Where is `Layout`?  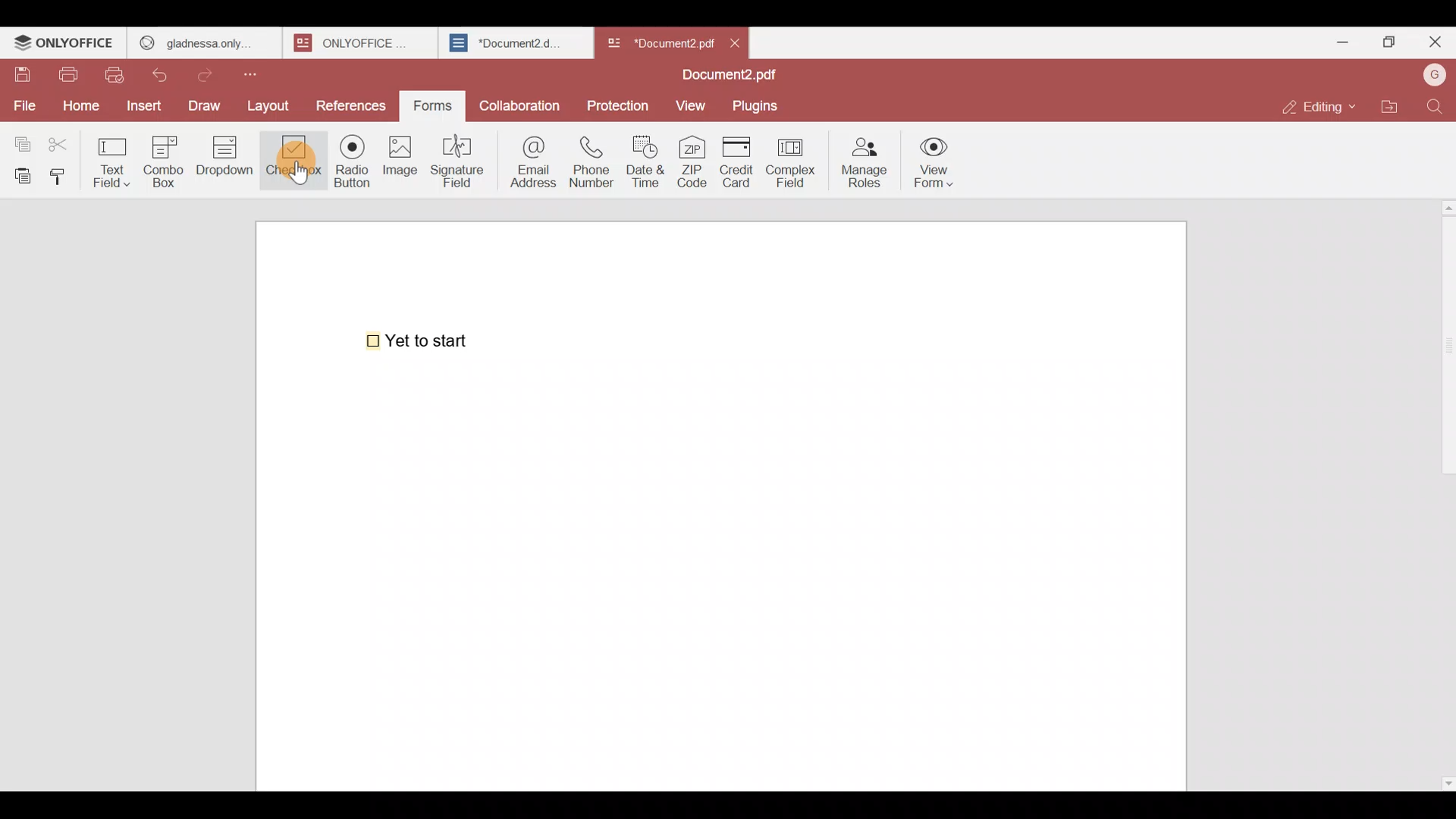 Layout is located at coordinates (275, 104).